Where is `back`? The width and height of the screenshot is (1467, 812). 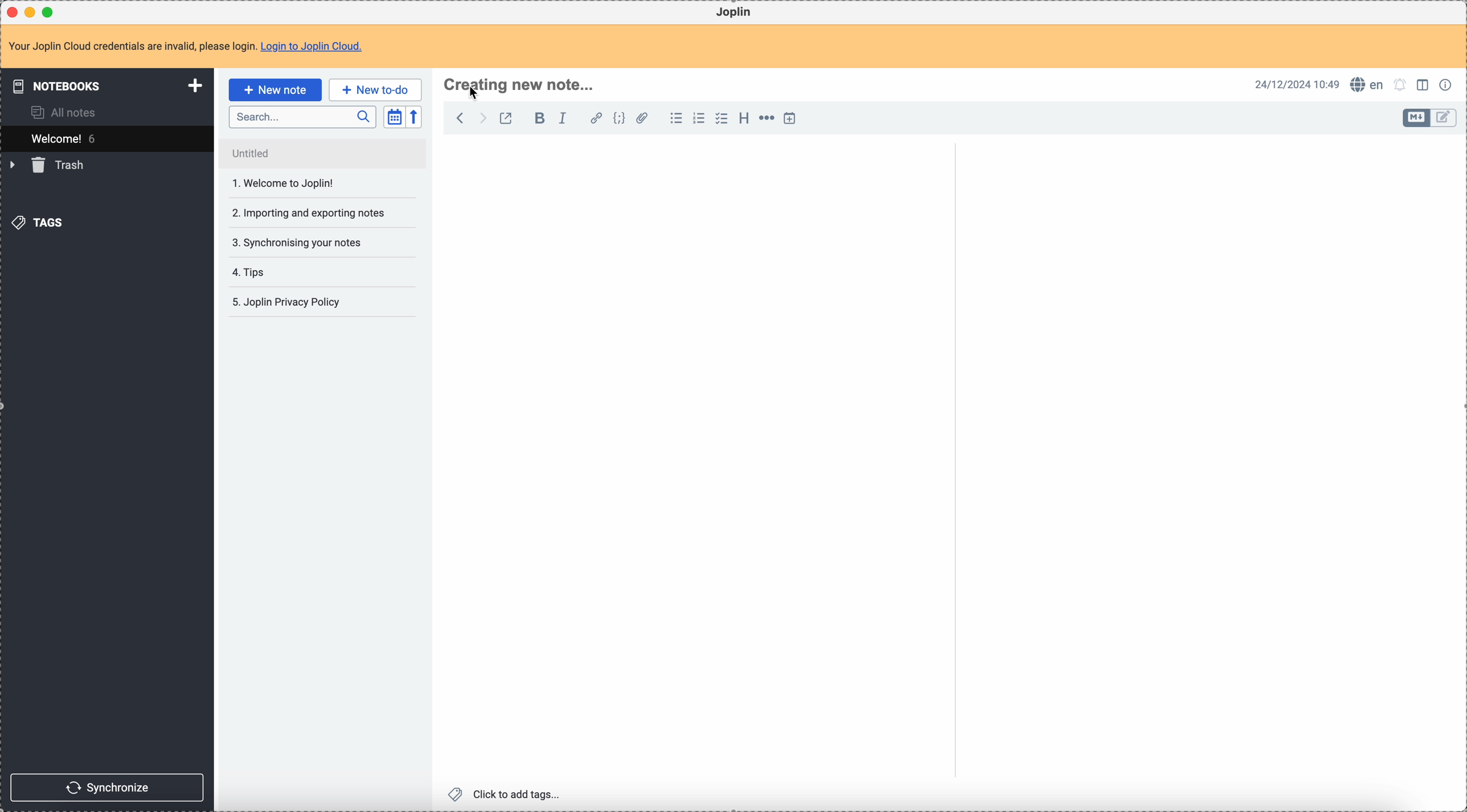 back is located at coordinates (461, 118).